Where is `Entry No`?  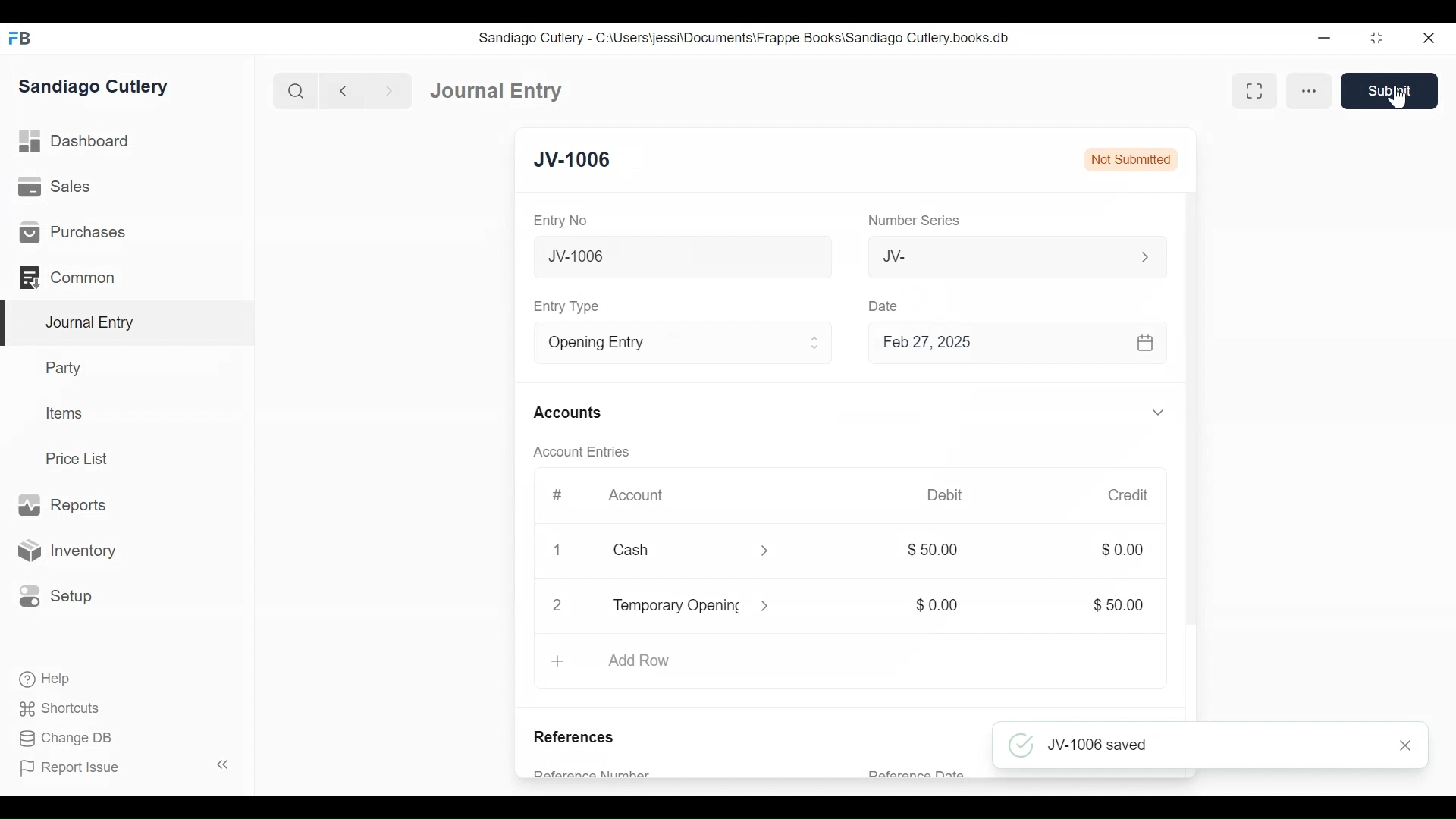
Entry No is located at coordinates (560, 221).